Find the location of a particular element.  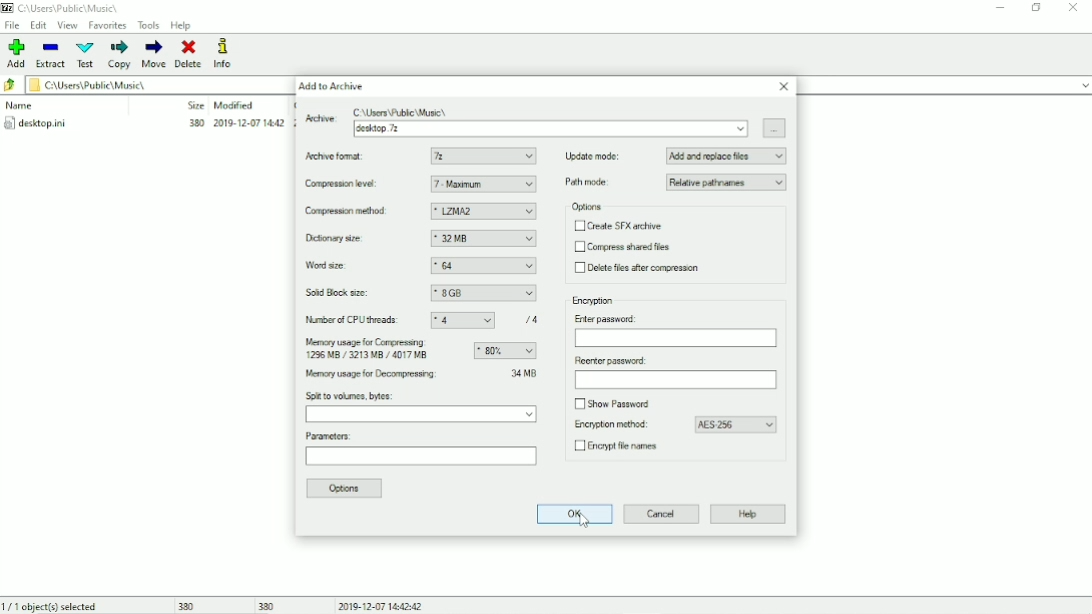

desktop.ini is located at coordinates (143, 125).